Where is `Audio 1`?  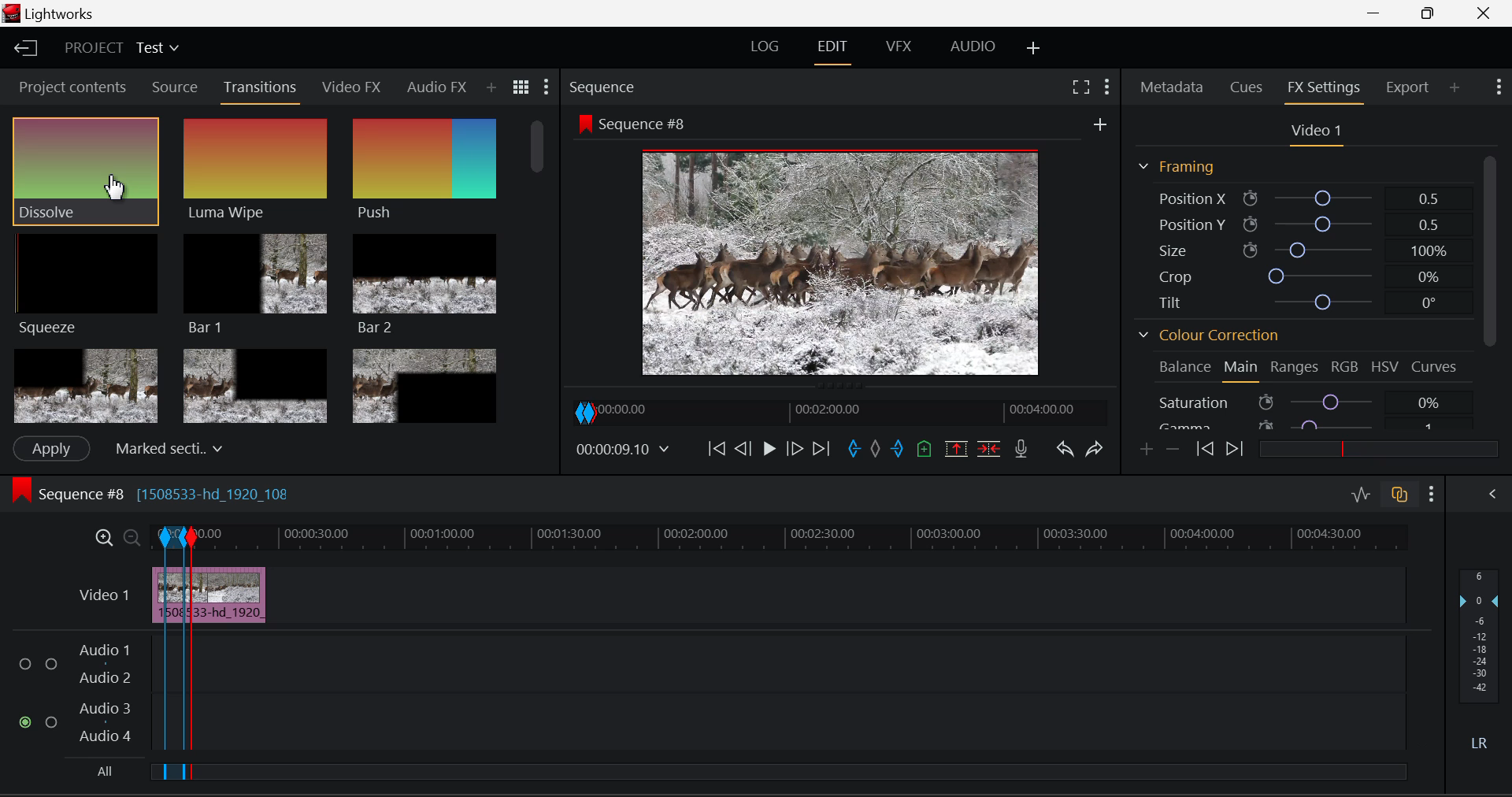
Audio 1 is located at coordinates (106, 651).